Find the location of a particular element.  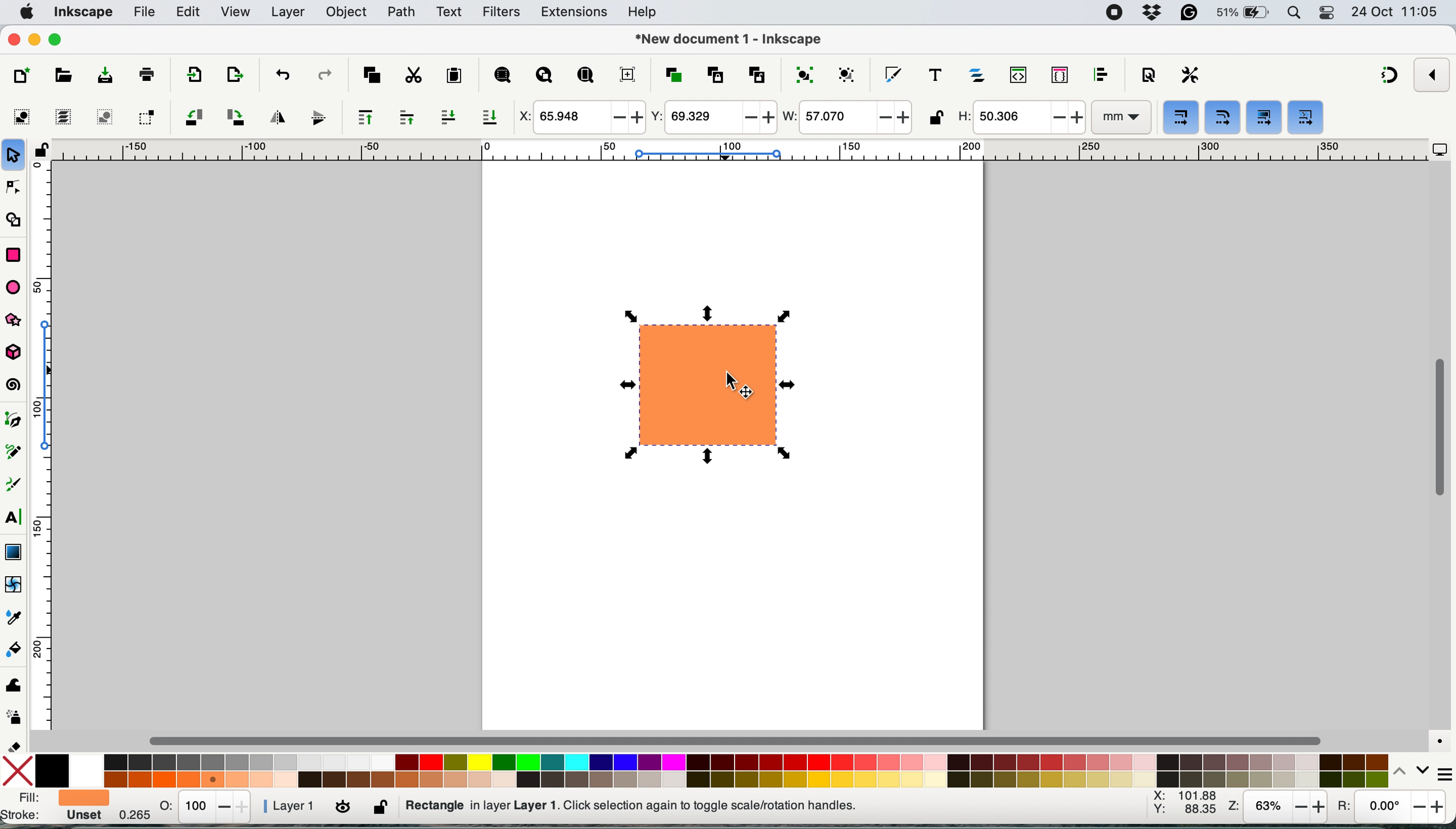

height is located at coordinates (1019, 117).